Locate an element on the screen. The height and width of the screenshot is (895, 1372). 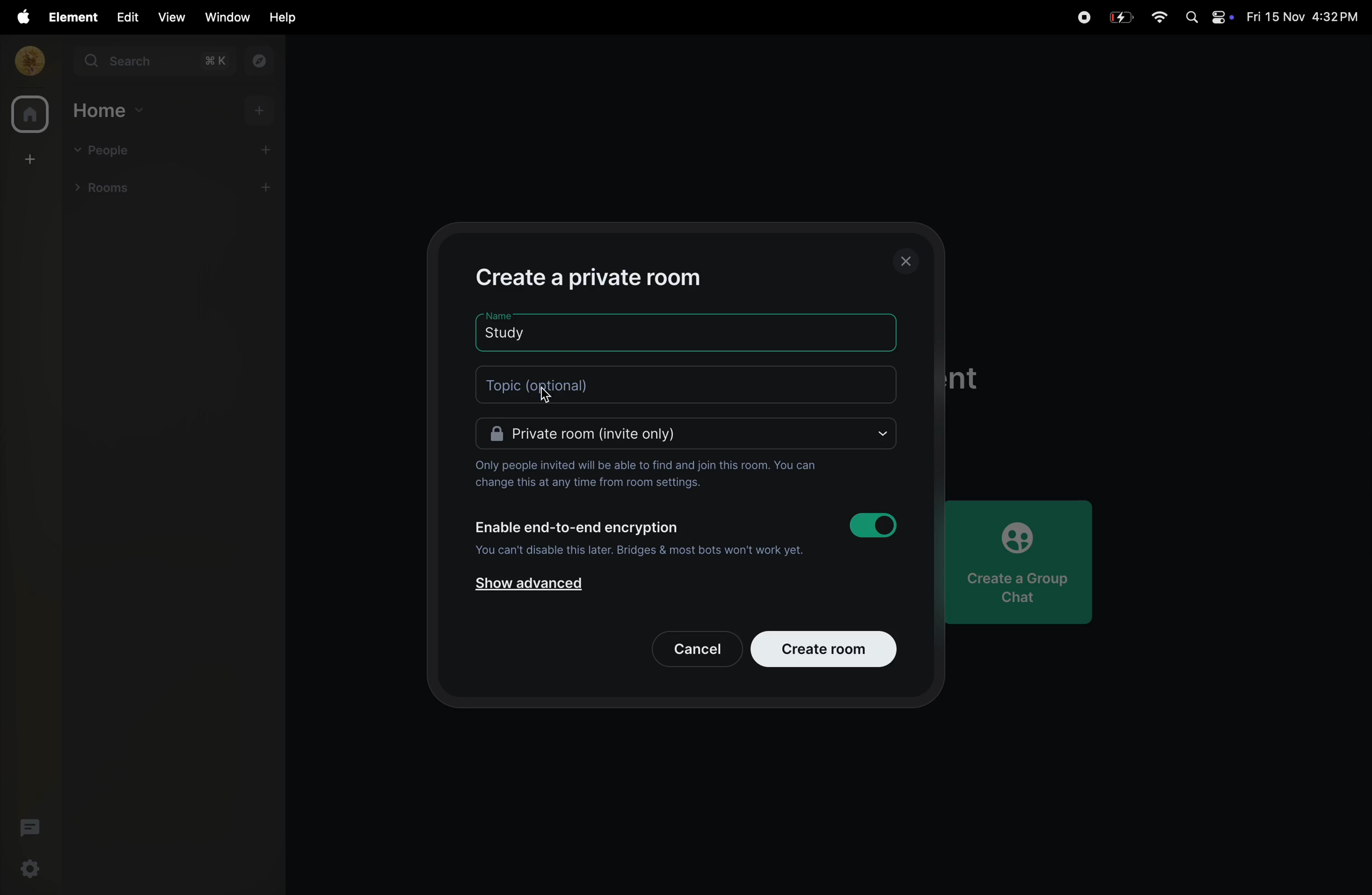
apple menu is located at coordinates (18, 17).